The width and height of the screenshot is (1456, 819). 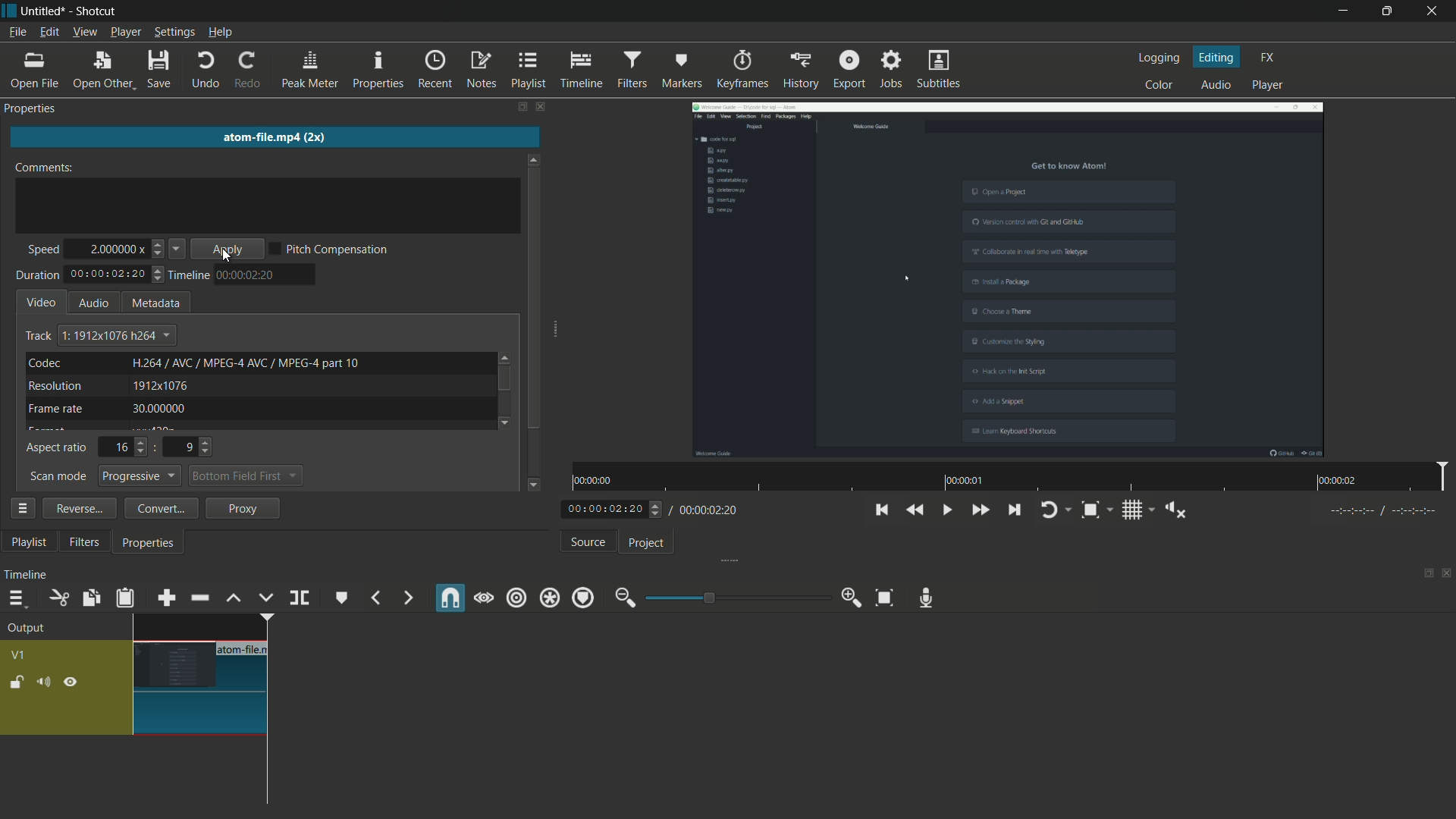 I want to click on proxy, so click(x=241, y=507).